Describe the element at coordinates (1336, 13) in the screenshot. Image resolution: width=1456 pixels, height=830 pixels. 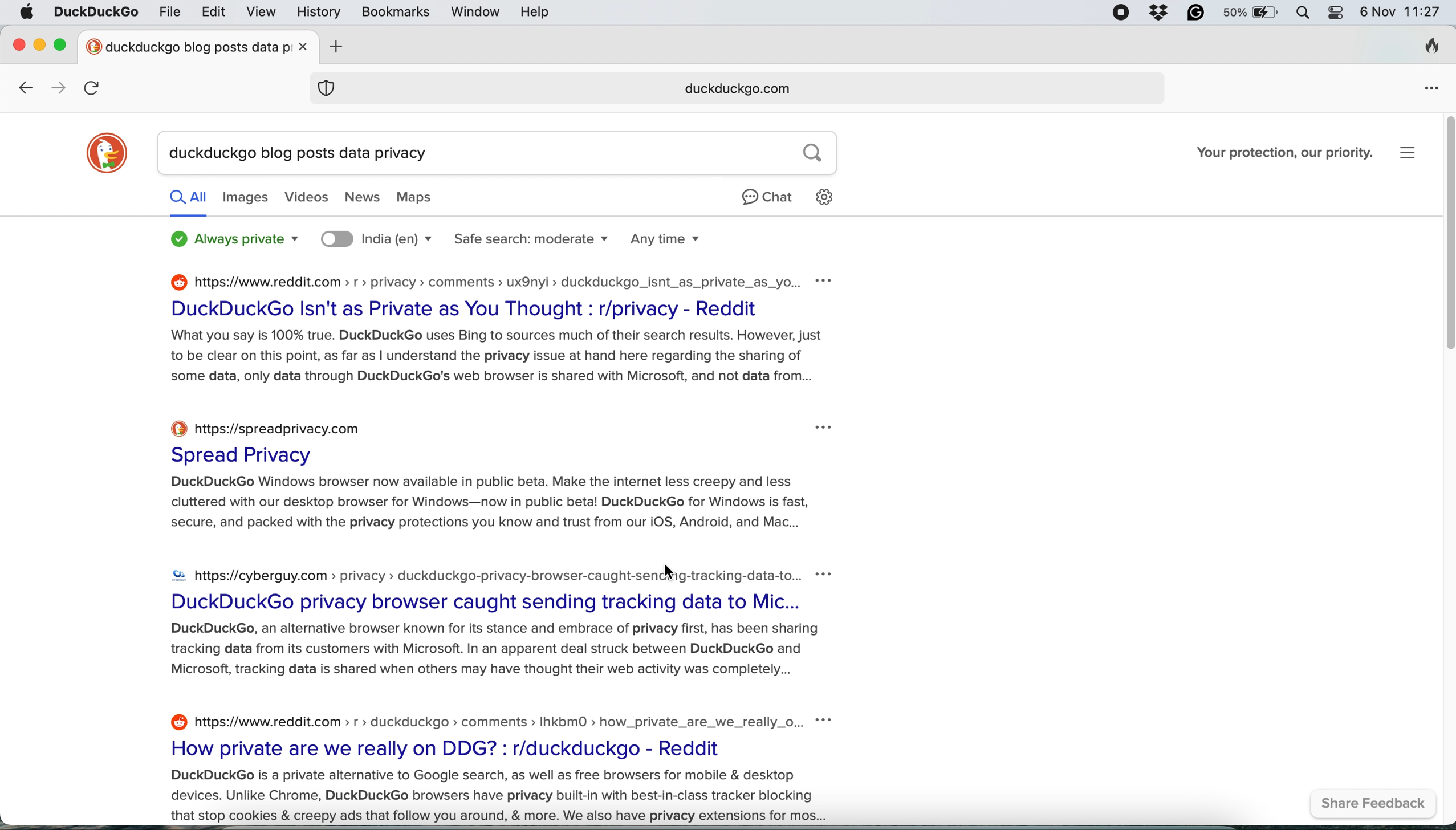
I see `control center` at that location.